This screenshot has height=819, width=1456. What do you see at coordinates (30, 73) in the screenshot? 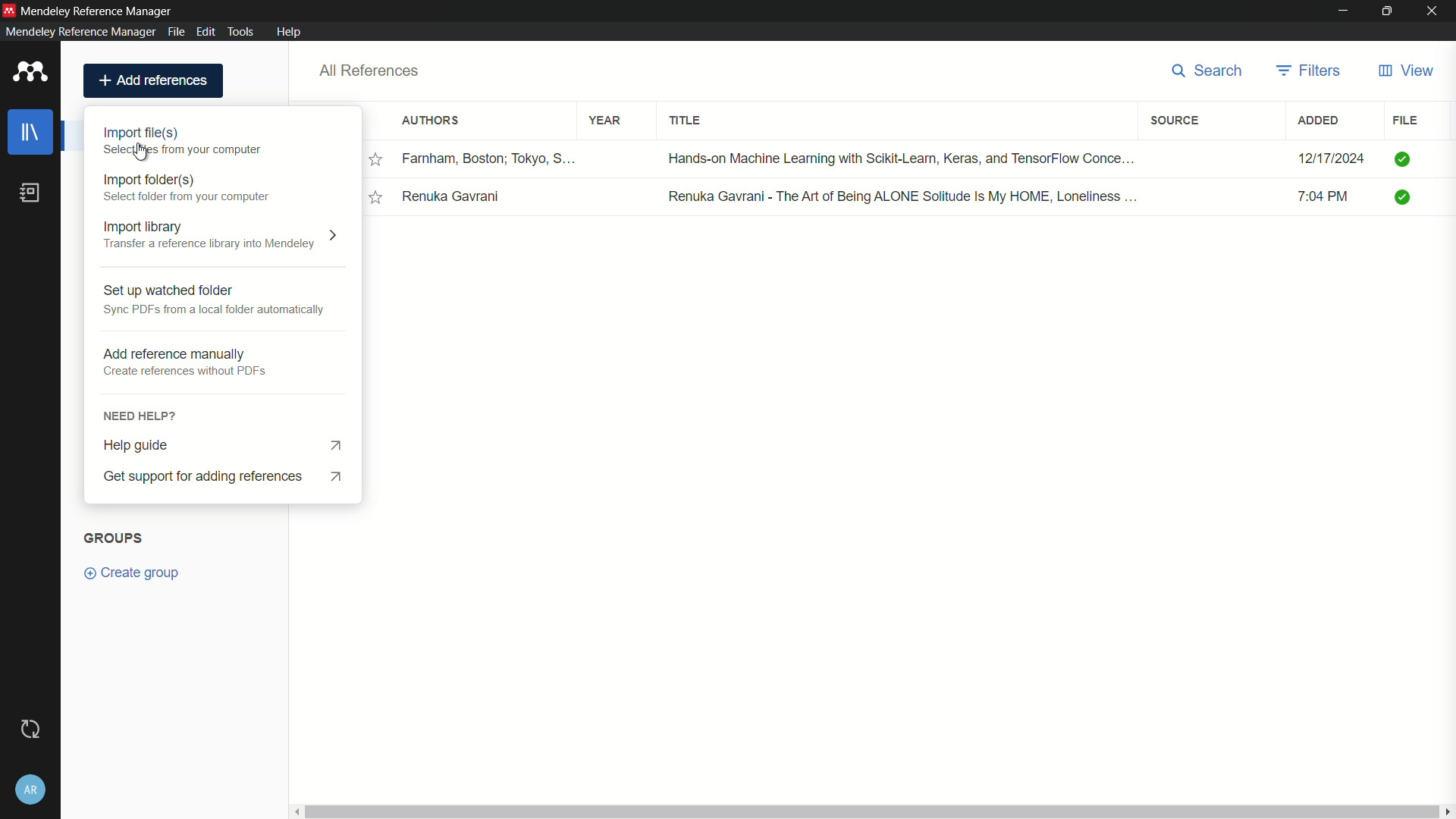
I see `app icon` at bounding box center [30, 73].